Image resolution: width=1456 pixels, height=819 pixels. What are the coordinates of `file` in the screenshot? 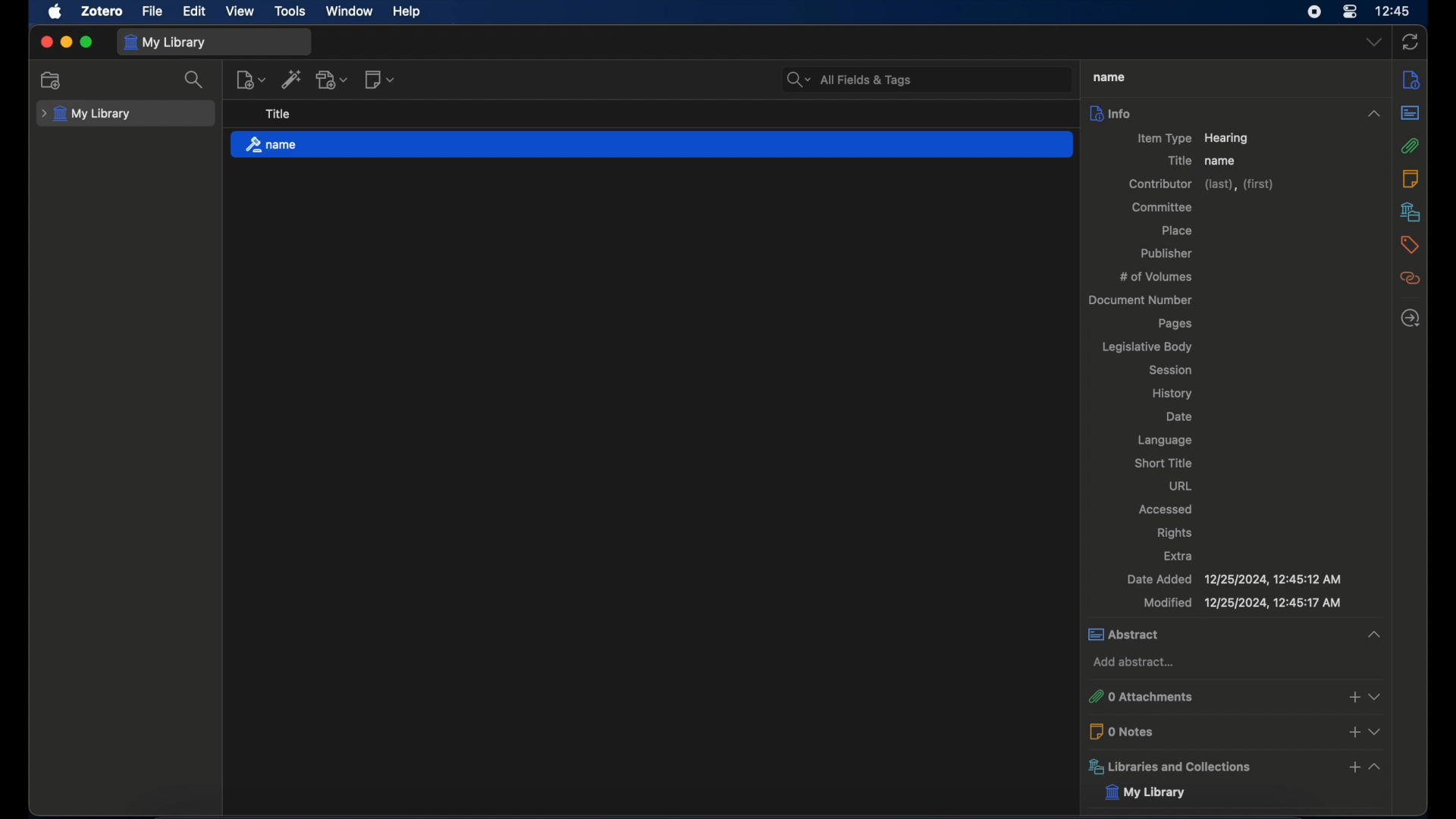 It's located at (154, 11).